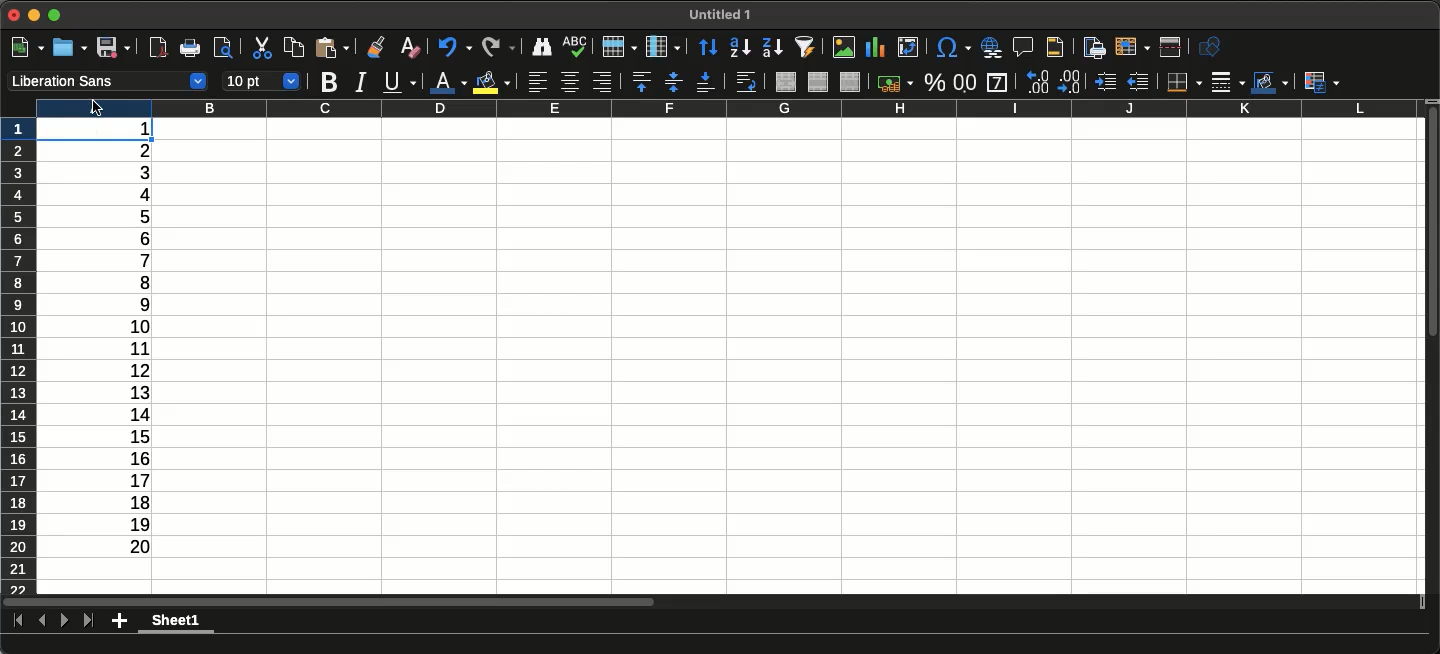  What do you see at coordinates (130, 283) in the screenshot?
I see `8` at bounding box center [130, 283].